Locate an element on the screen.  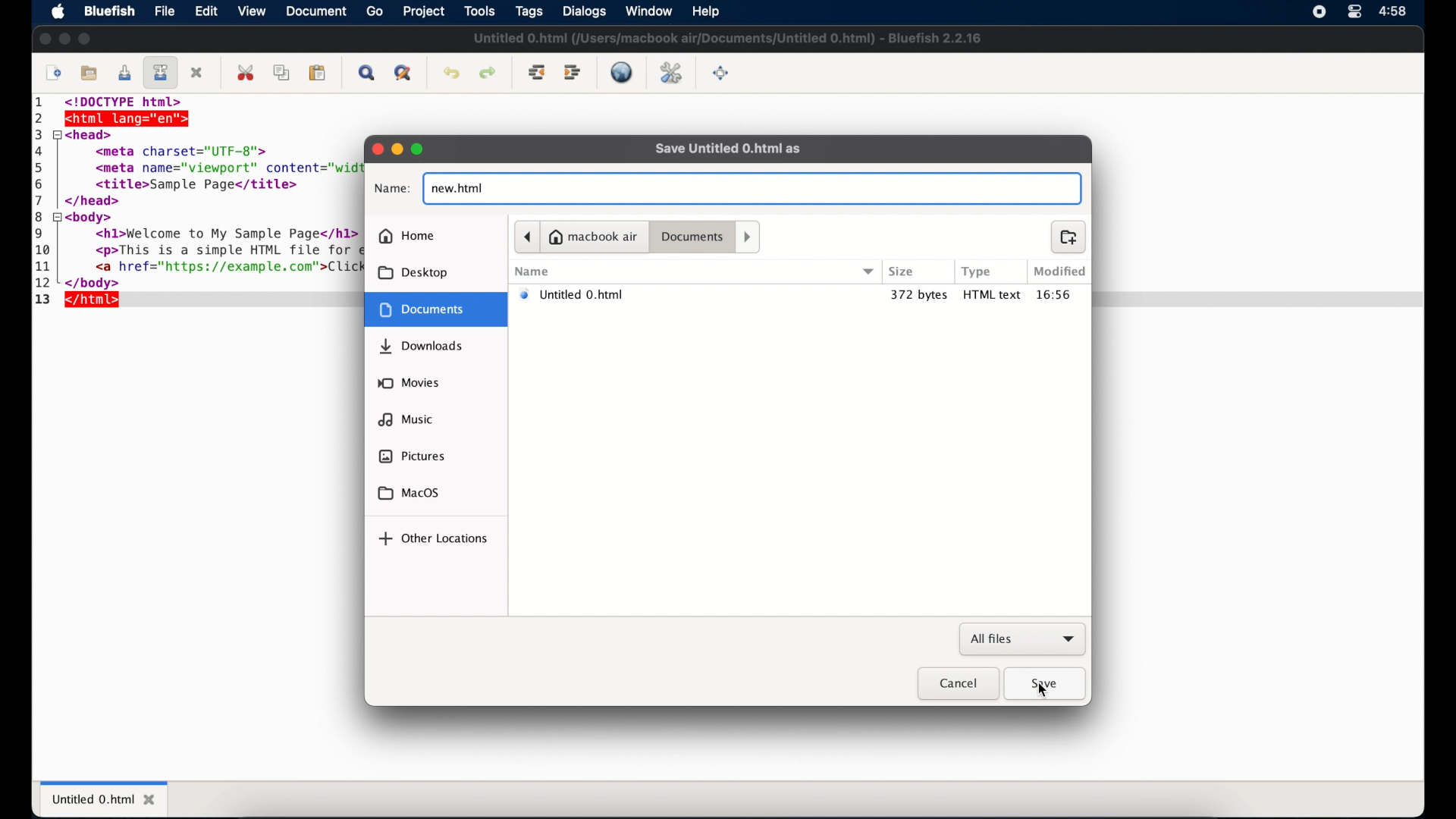
372 bytes is located at coordinates (918, 294).